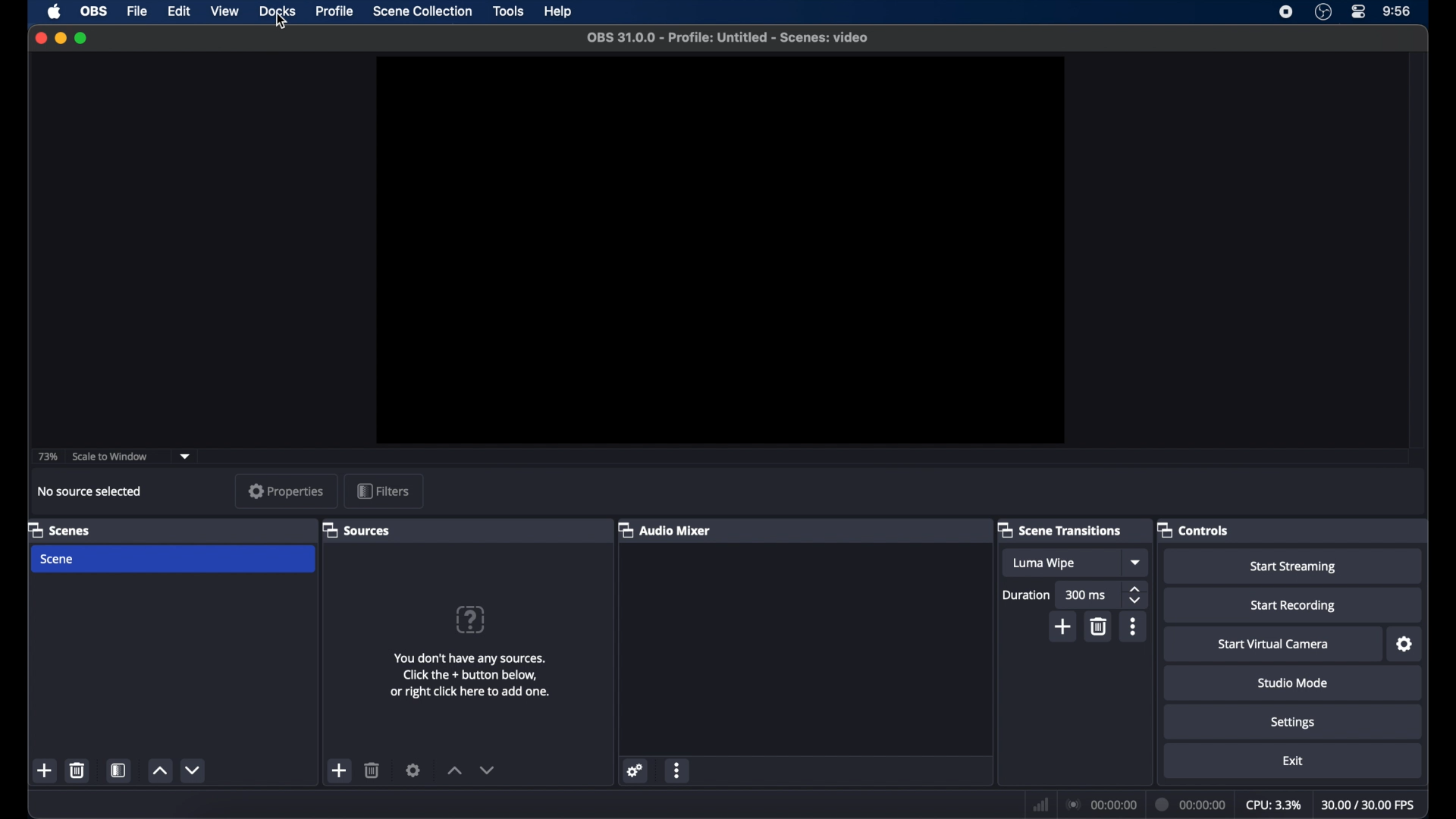  I want to click on help , so click(470, 620).